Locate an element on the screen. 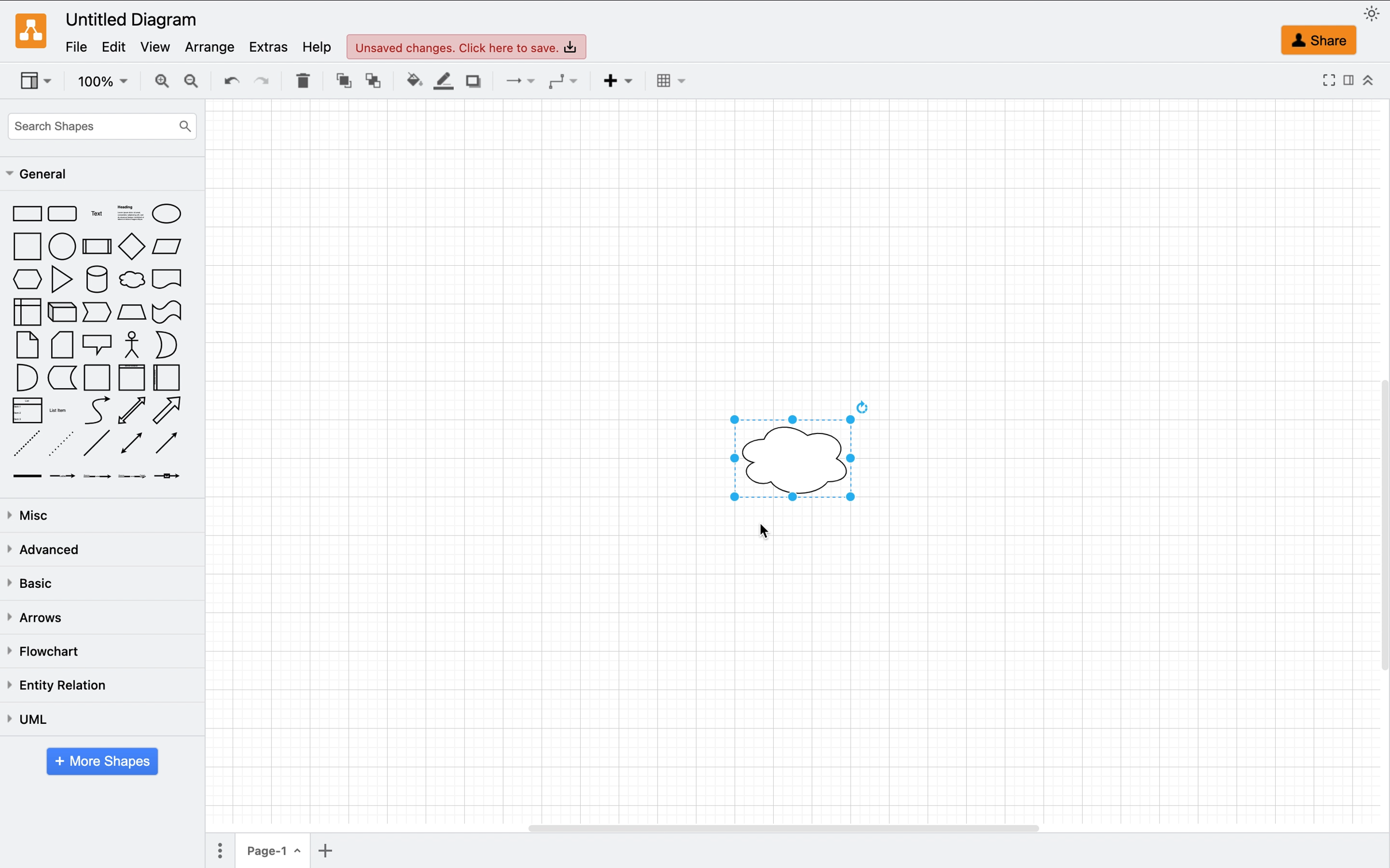  actor is located at coordinates (136, 346).